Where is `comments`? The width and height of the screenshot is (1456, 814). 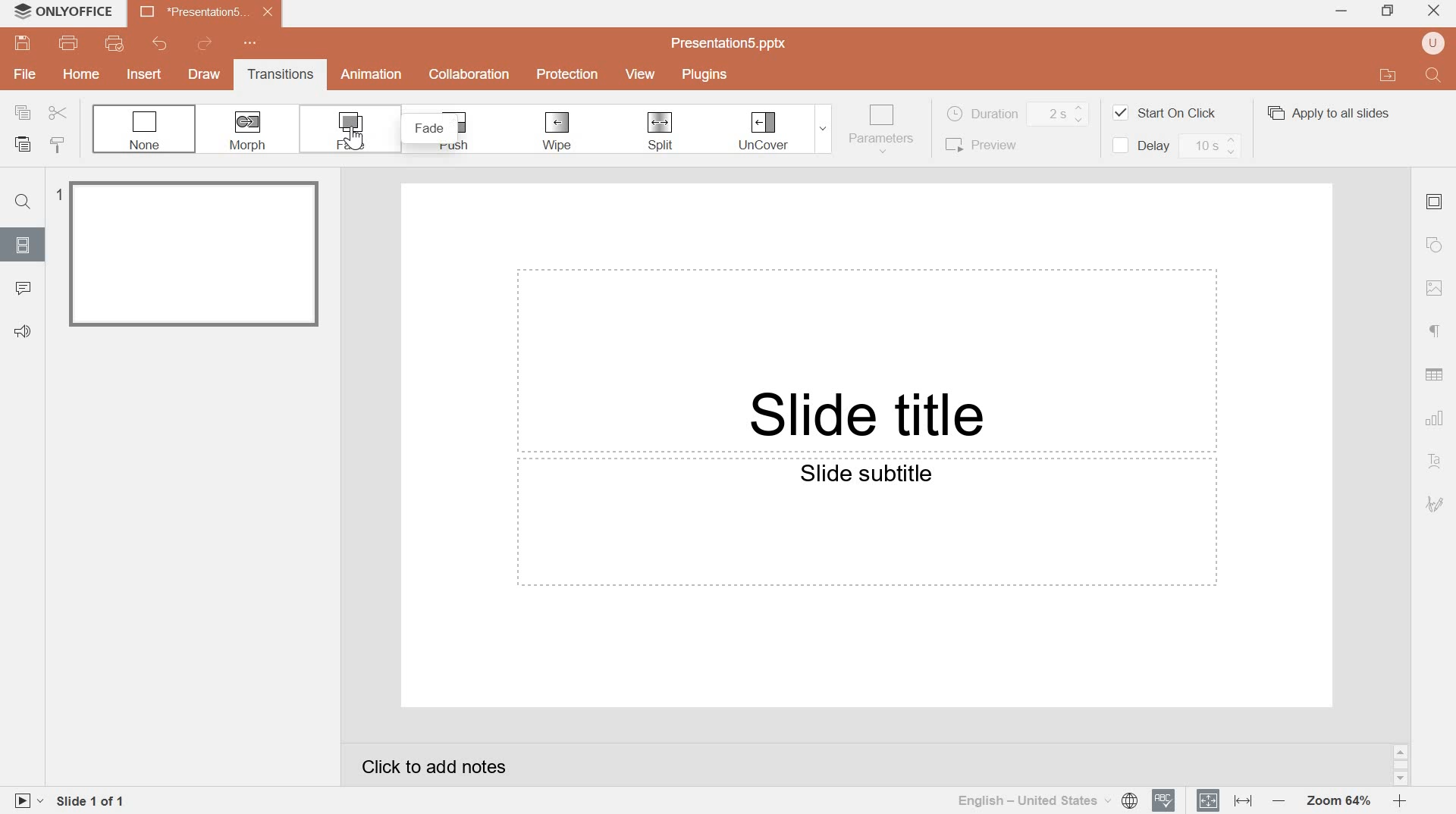 comments is located at coordinates (24, 289).